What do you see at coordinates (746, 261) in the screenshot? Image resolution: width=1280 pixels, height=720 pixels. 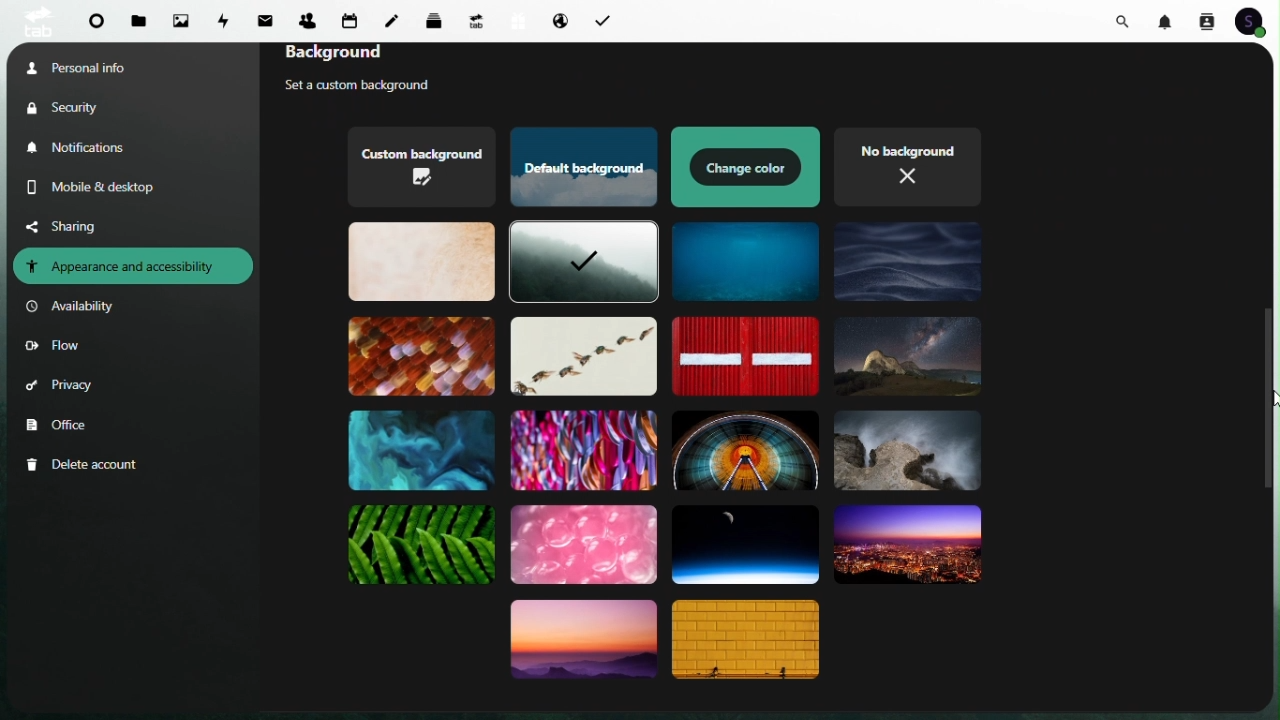 I see `Themes` at bounding box center [746, 261].